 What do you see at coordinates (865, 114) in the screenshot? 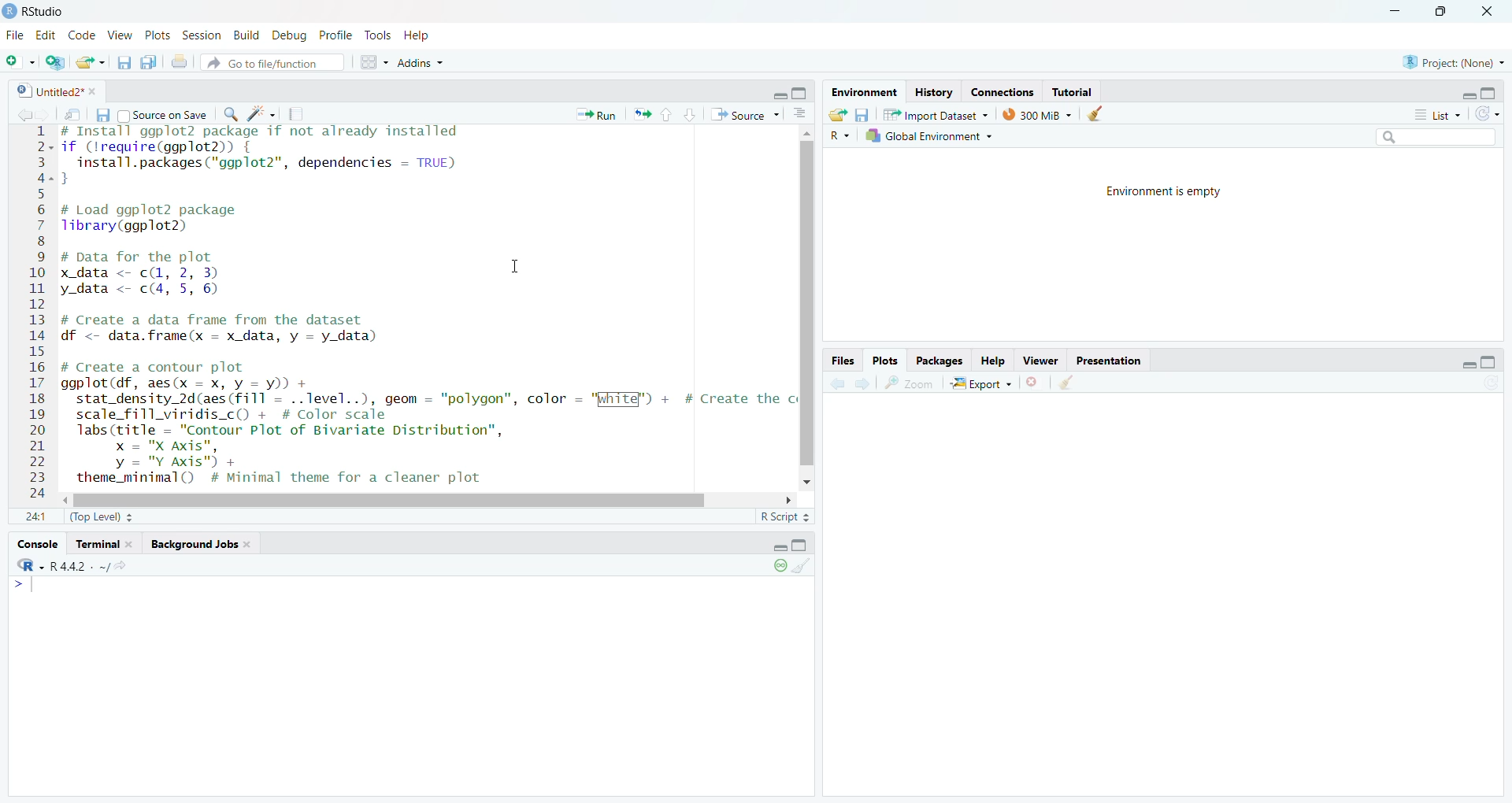
I see `save` at bounding box center [865, 114].